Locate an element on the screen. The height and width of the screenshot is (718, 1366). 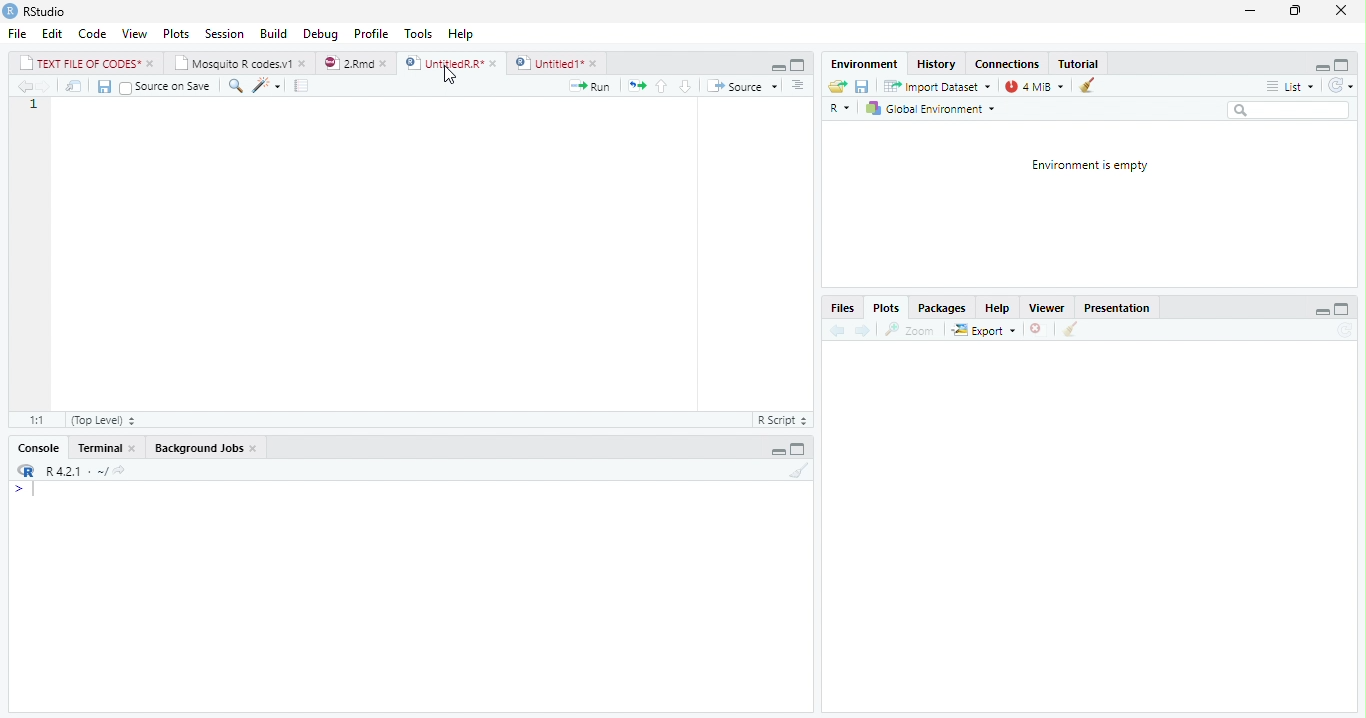
Files is located at coordinates (842, 307).